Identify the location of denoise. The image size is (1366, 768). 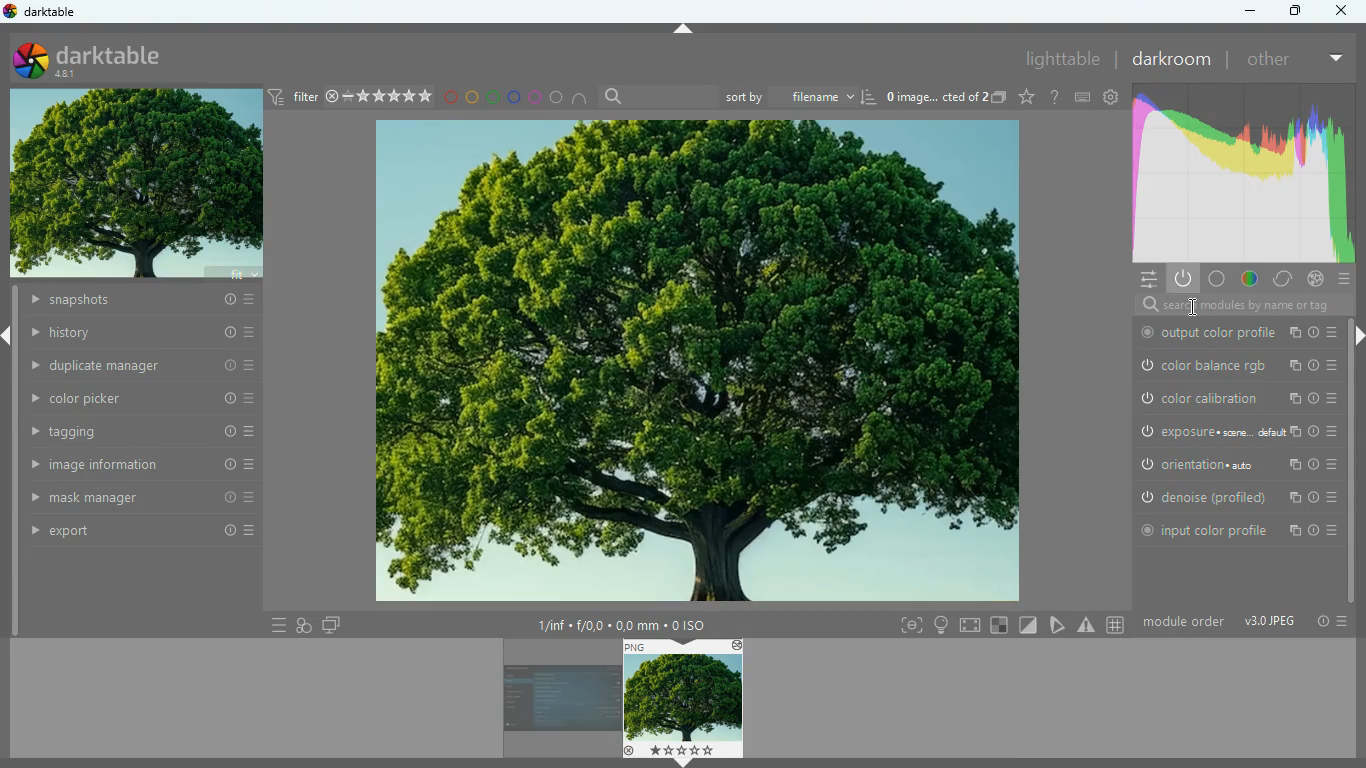
(1235, 496).